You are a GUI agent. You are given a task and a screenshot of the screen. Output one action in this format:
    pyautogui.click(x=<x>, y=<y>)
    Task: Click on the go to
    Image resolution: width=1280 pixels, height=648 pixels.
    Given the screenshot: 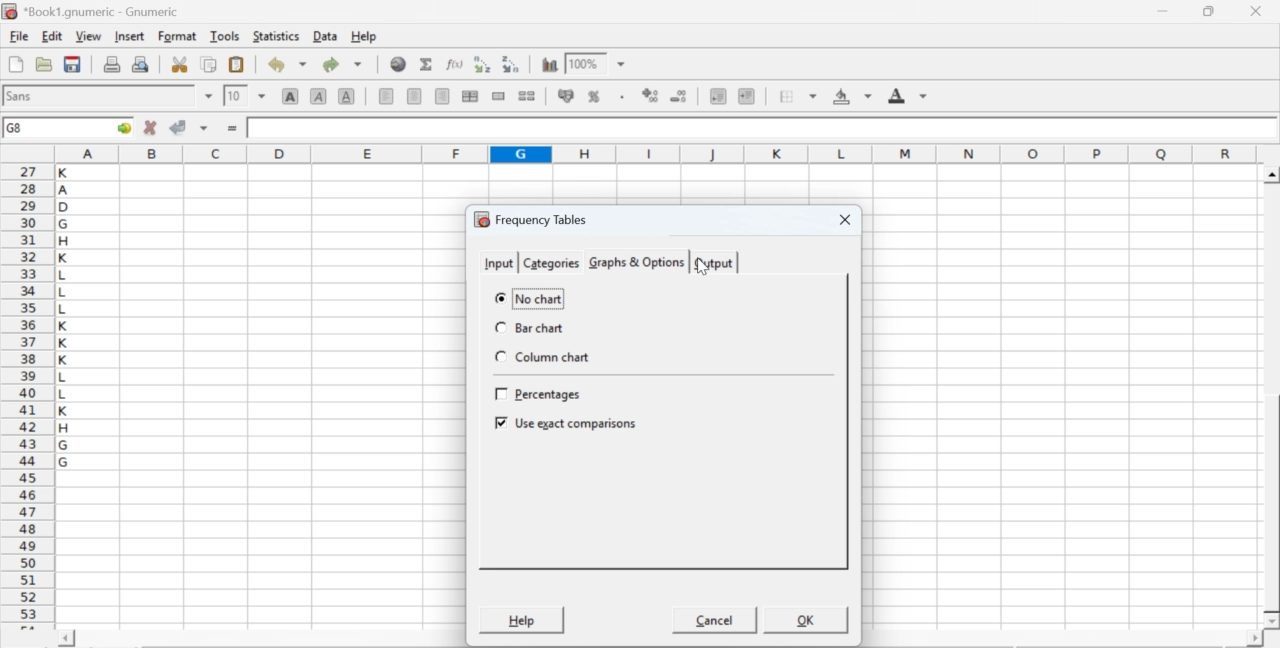 What is the action you would take?
    pyautogui.click(x=122, y=127)
    